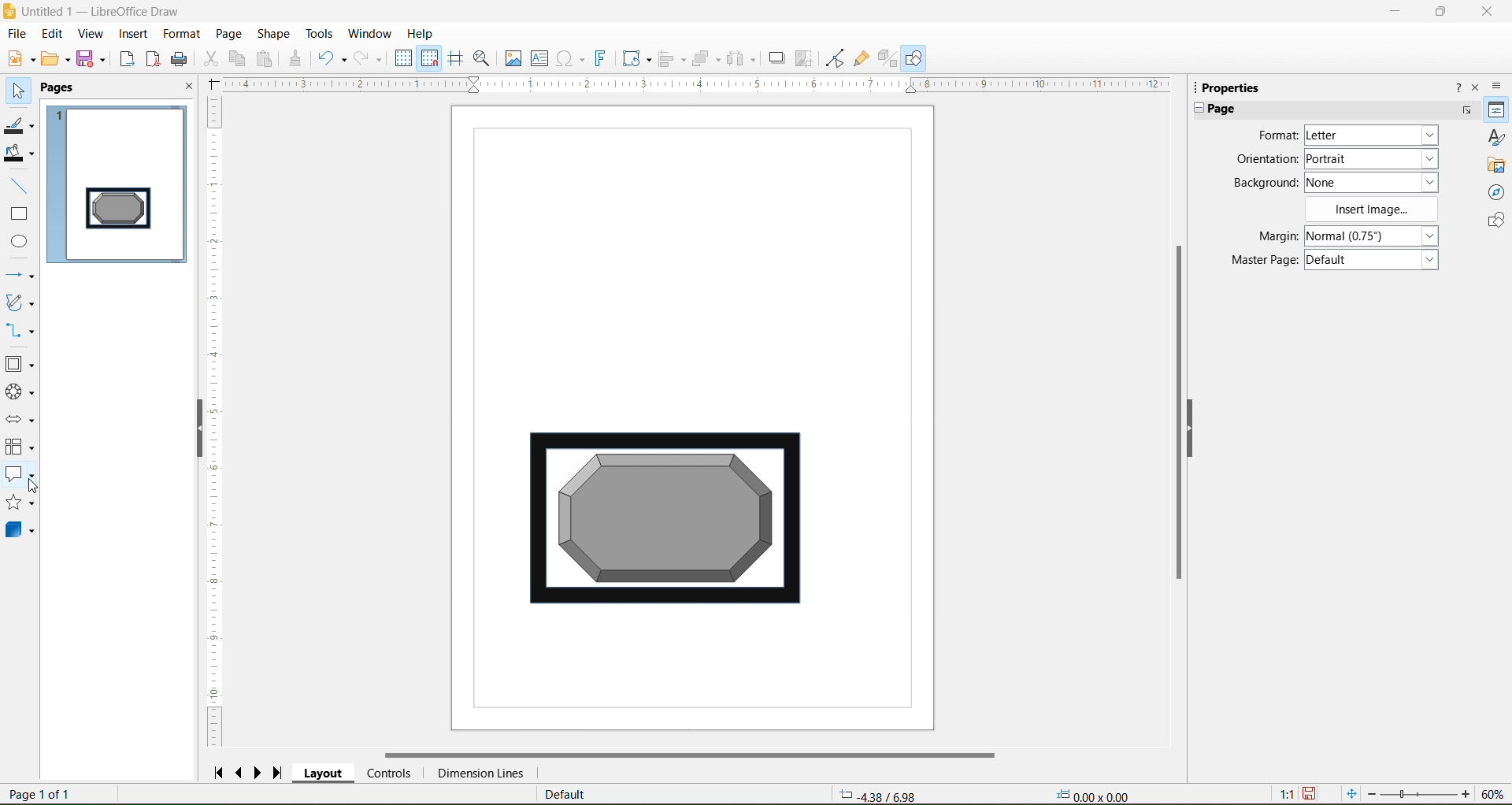 The height and width of the screenshot is (805, 1512). I want to click on Pages, so click(61, 88).